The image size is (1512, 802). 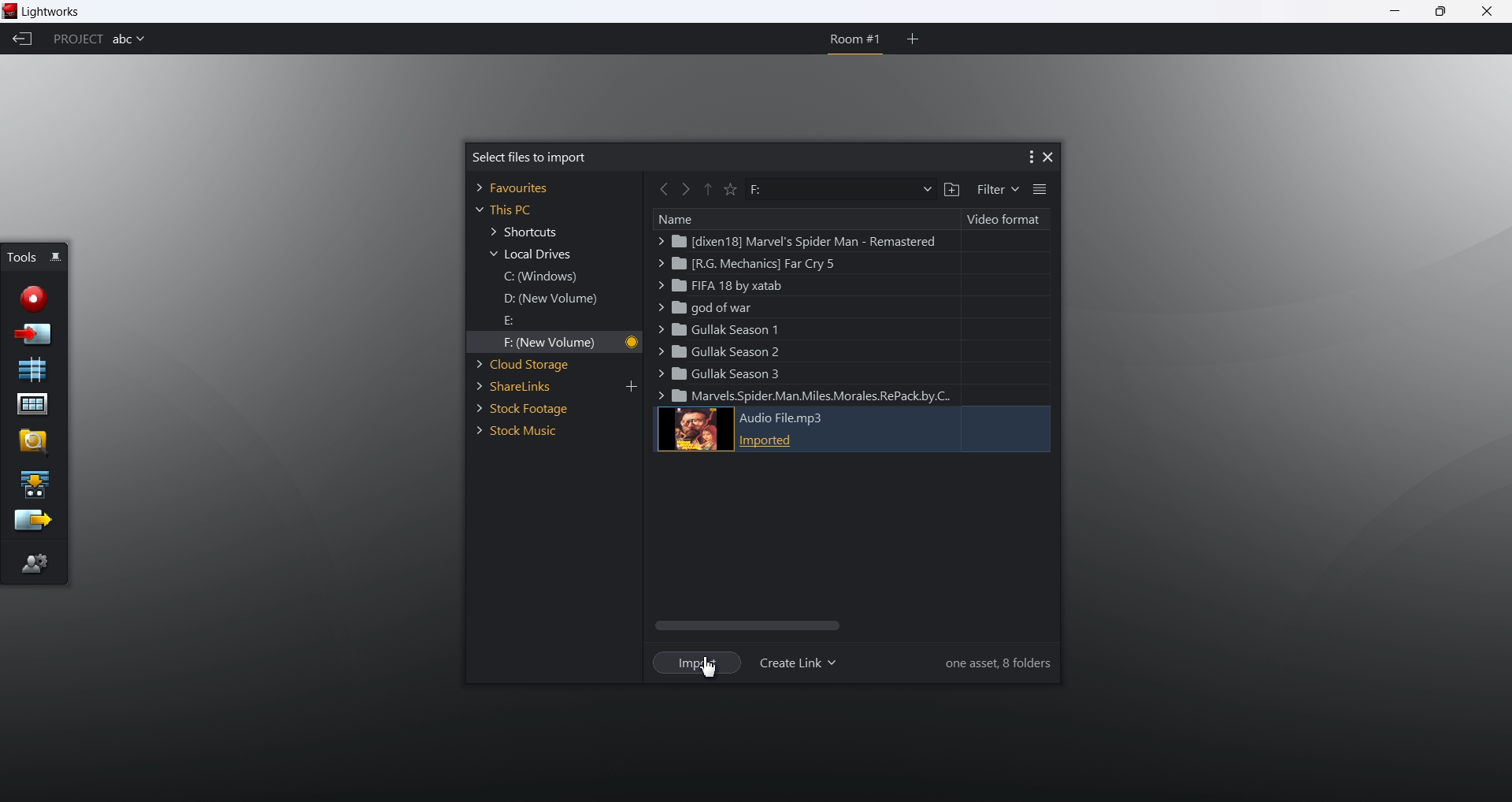 I want to click on import, so click(x=692, y=663).